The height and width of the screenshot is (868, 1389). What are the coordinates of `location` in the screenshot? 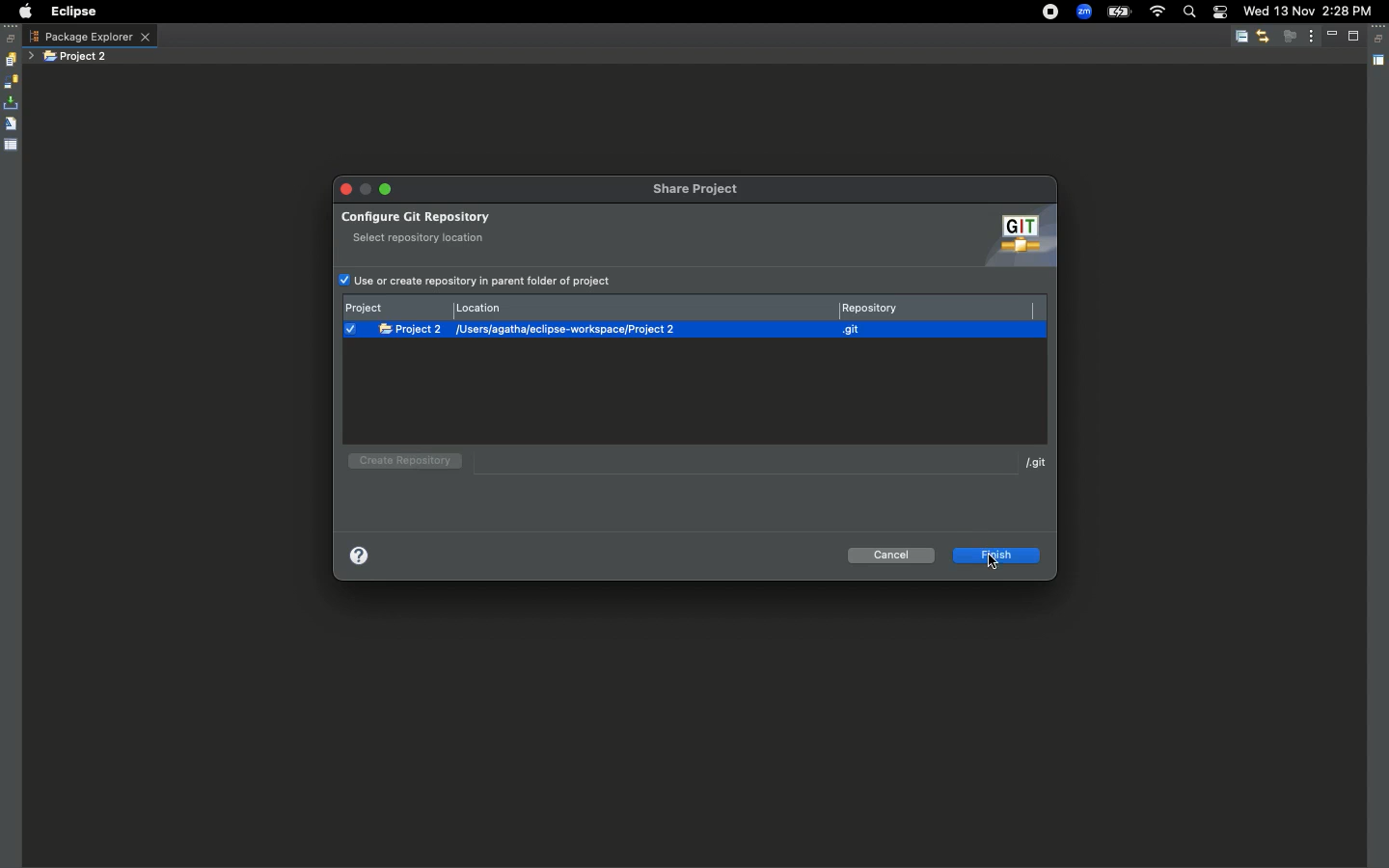 It's located at (645, 307).